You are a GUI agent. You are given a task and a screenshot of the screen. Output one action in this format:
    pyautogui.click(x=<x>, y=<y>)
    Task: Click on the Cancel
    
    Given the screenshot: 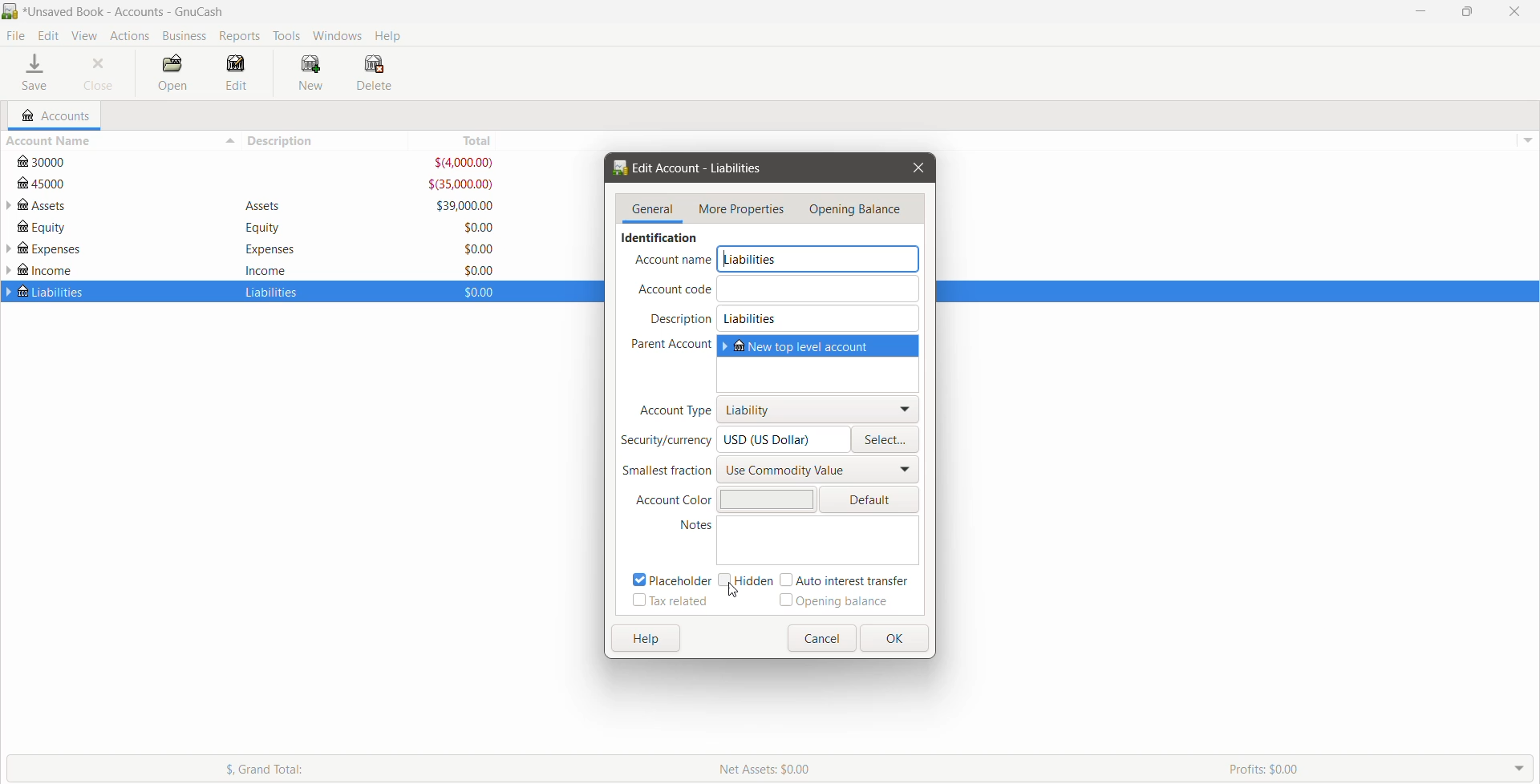 What is the action you would take?
    pyautogui.click(x=821, y=638)
    